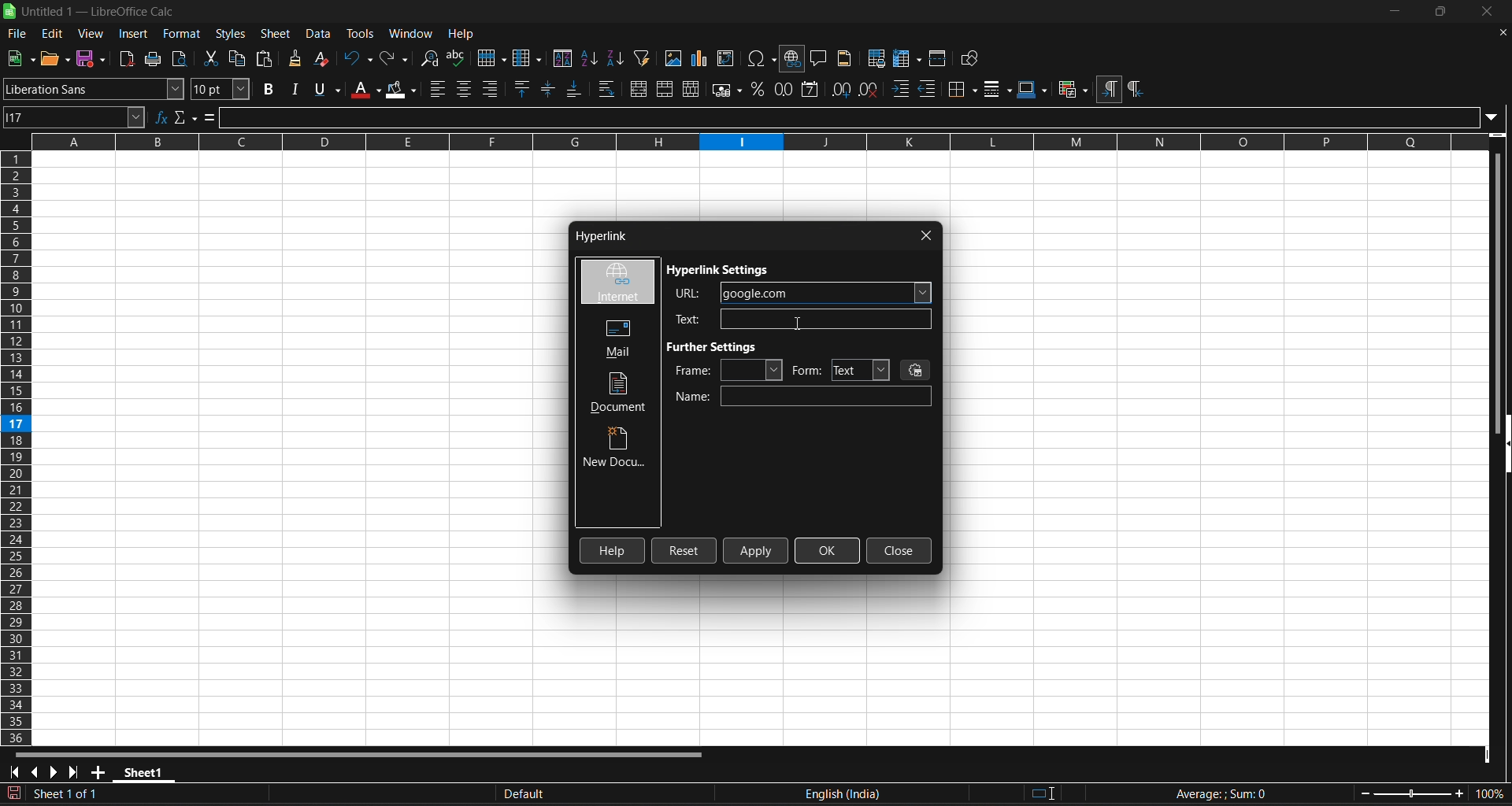 The width and height of the screenshot is (1512, 806). I want to click on scroll to first sheet, so click(13, 772).